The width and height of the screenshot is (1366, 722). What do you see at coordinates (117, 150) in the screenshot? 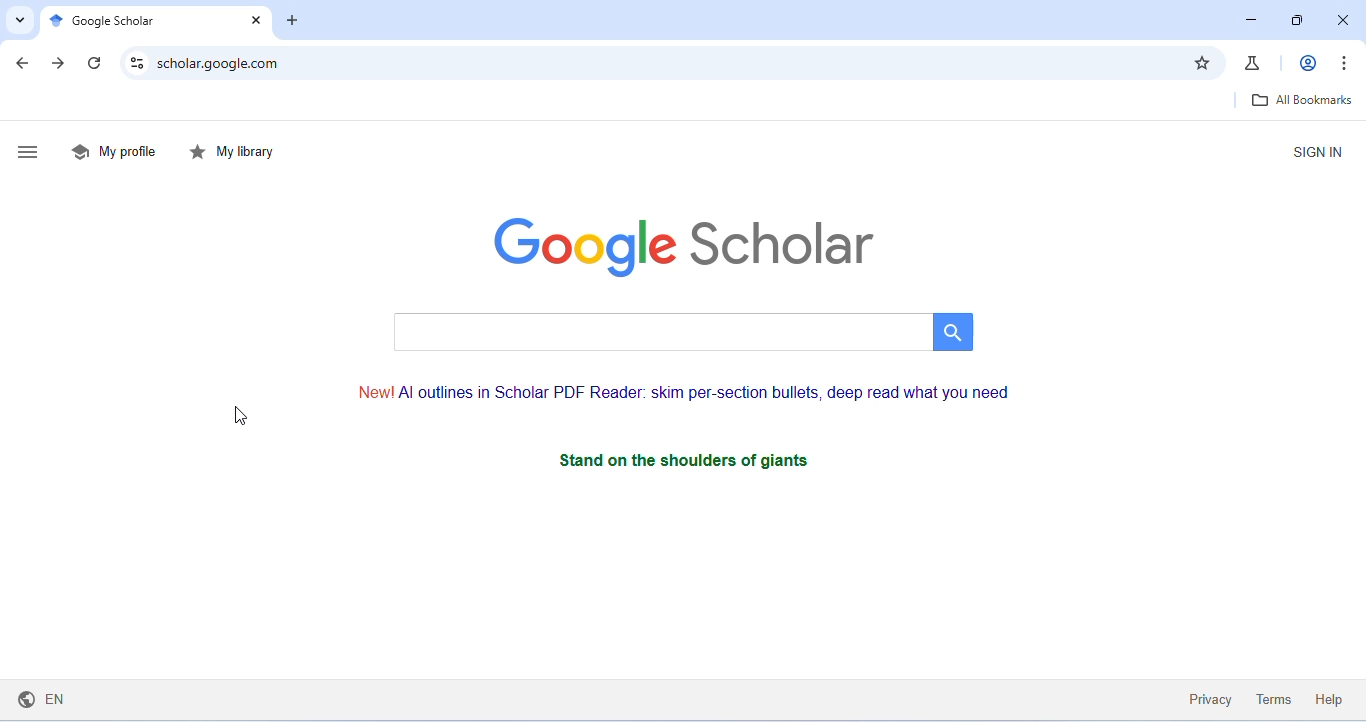
I see `my profile` at bounding box center [117, 150].